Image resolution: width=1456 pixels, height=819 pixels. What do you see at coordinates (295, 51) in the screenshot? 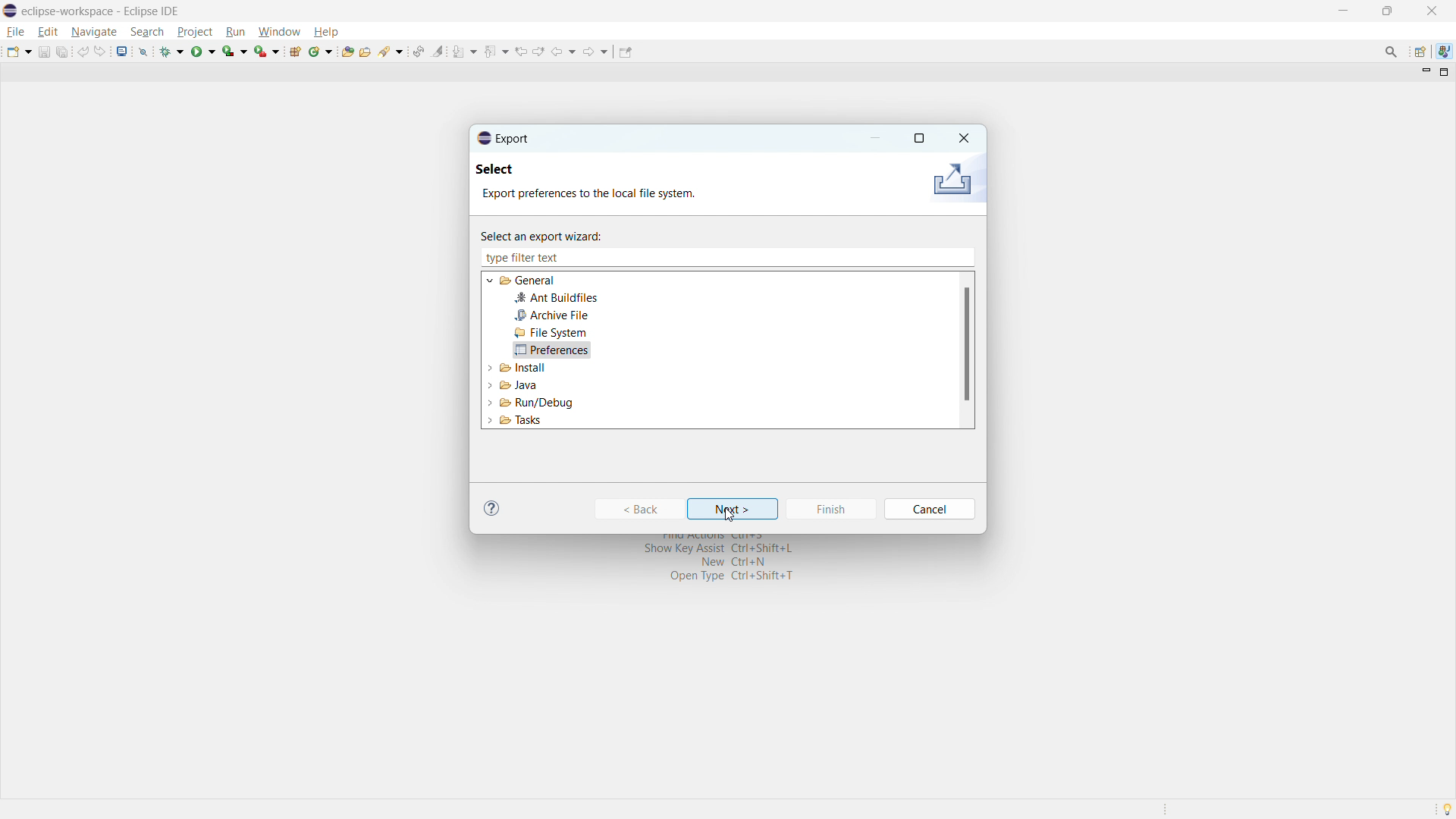
I see `new java package` at bounding box center [295, 51].